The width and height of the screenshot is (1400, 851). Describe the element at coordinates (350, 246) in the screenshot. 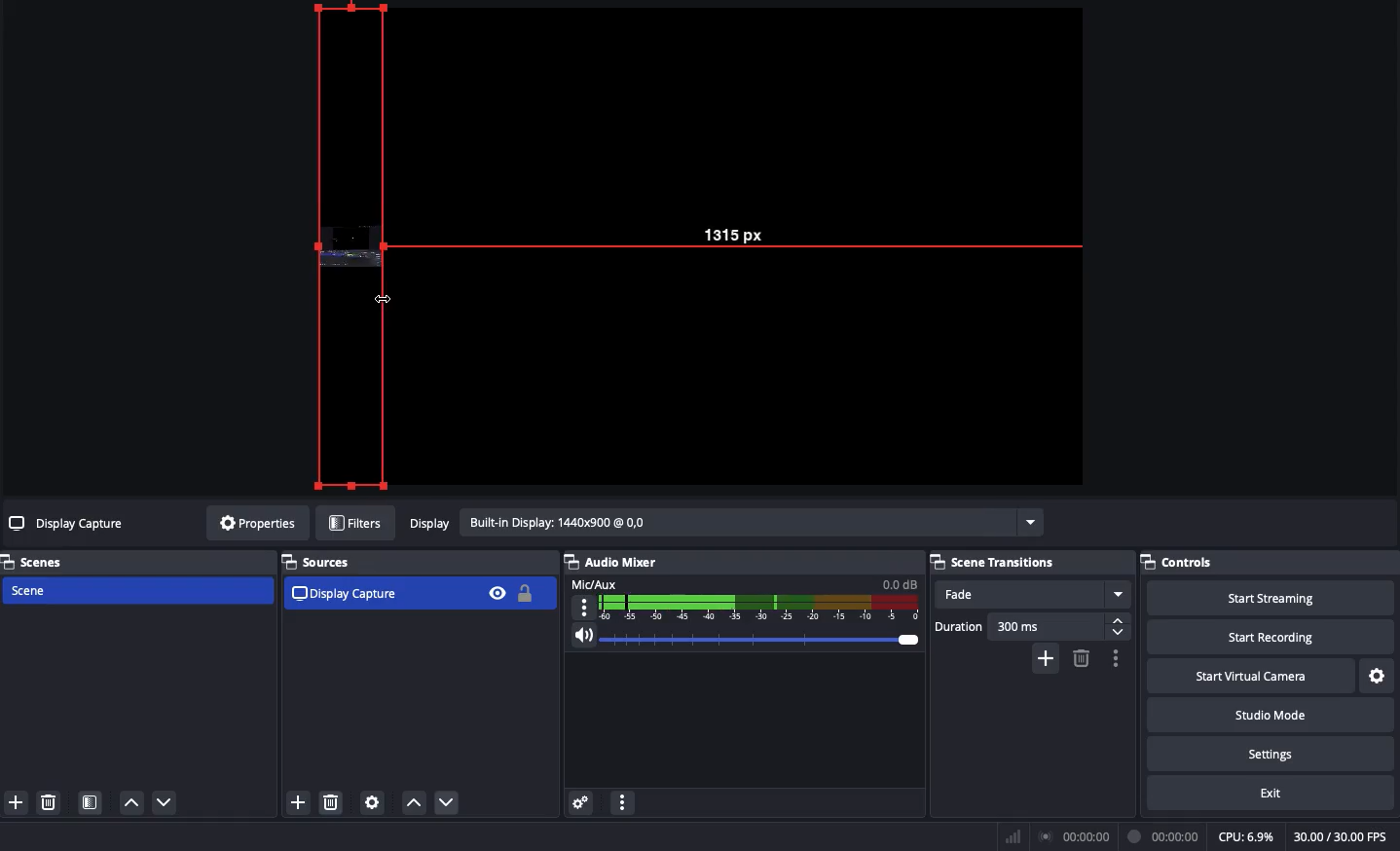

I see `Drag` at that location.